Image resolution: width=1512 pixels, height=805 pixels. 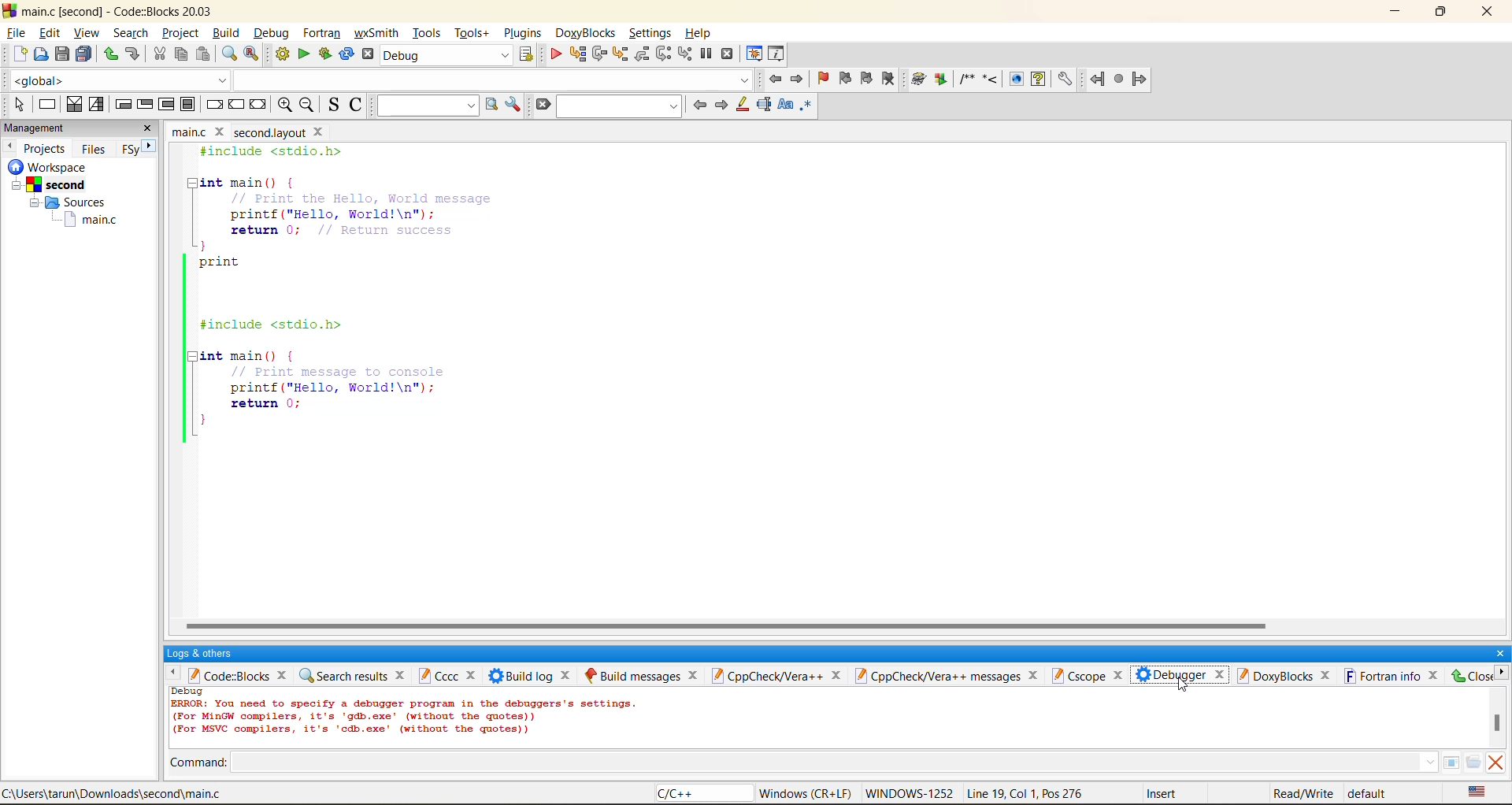 I want to click on left menu, so click(x=172, y=676).